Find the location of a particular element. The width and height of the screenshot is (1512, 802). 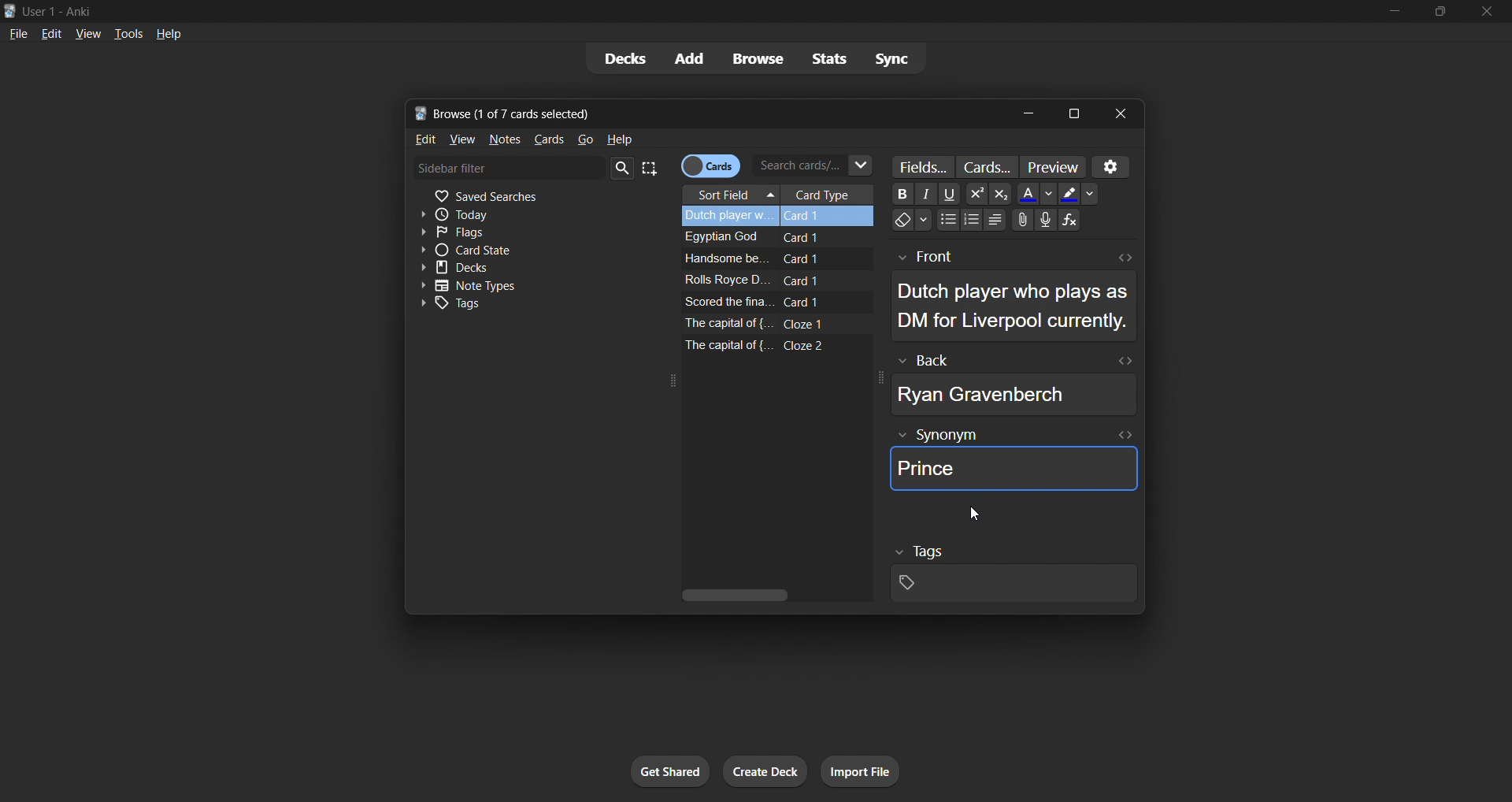

stats is located at coordinates (828, 60).